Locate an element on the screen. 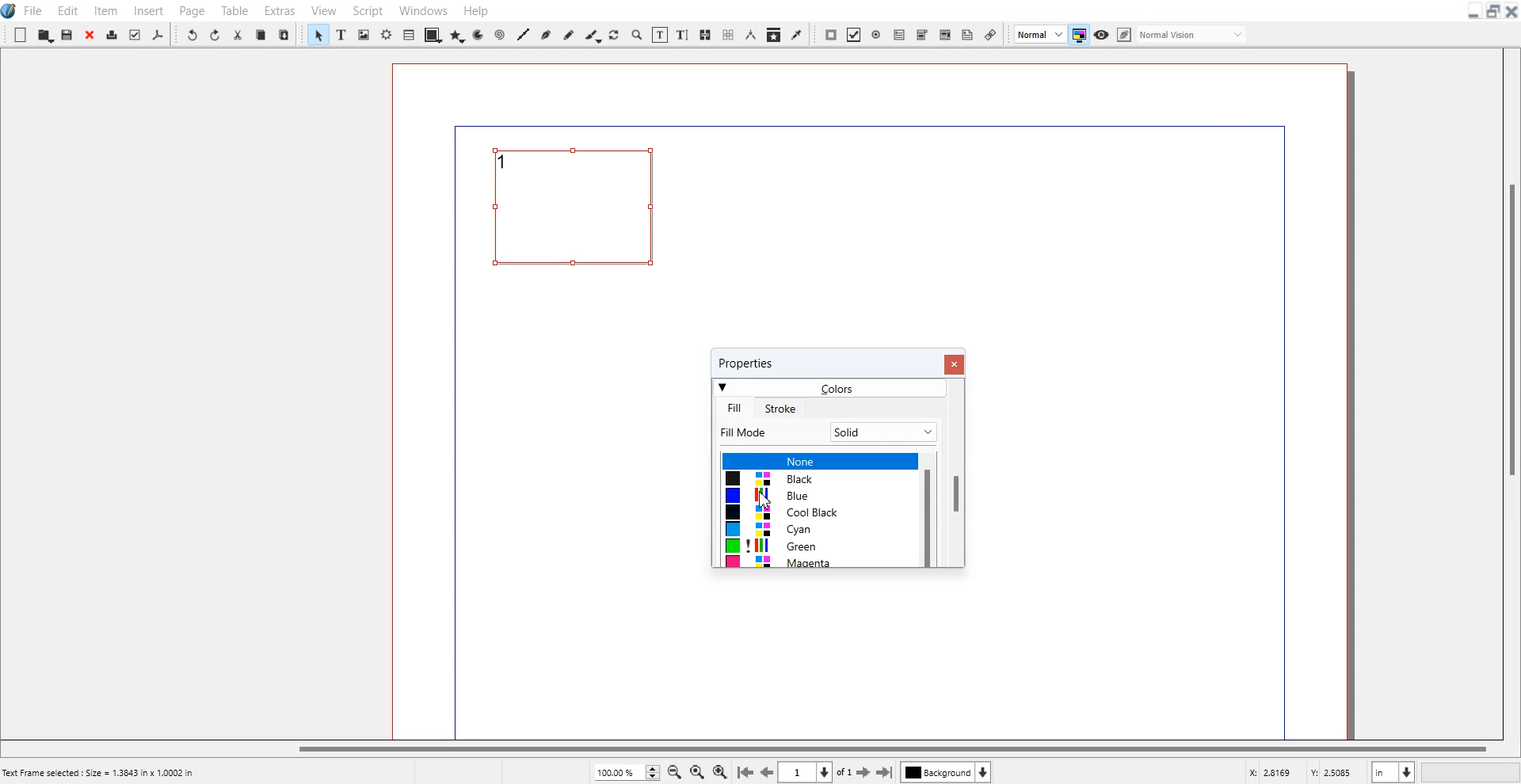  Windows is located at coordinates (422, 10).